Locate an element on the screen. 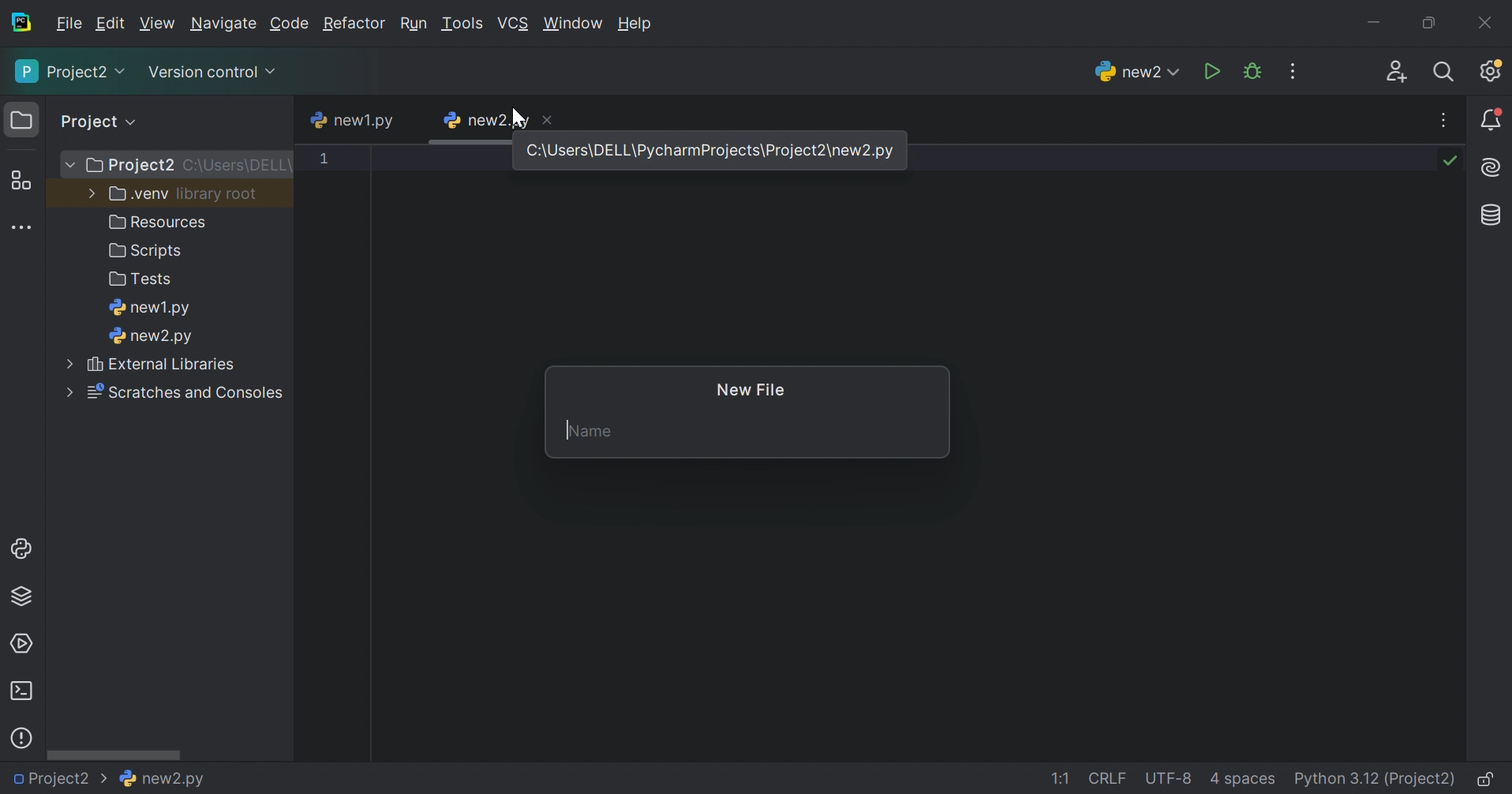  More is located at coordinates (65, 394).